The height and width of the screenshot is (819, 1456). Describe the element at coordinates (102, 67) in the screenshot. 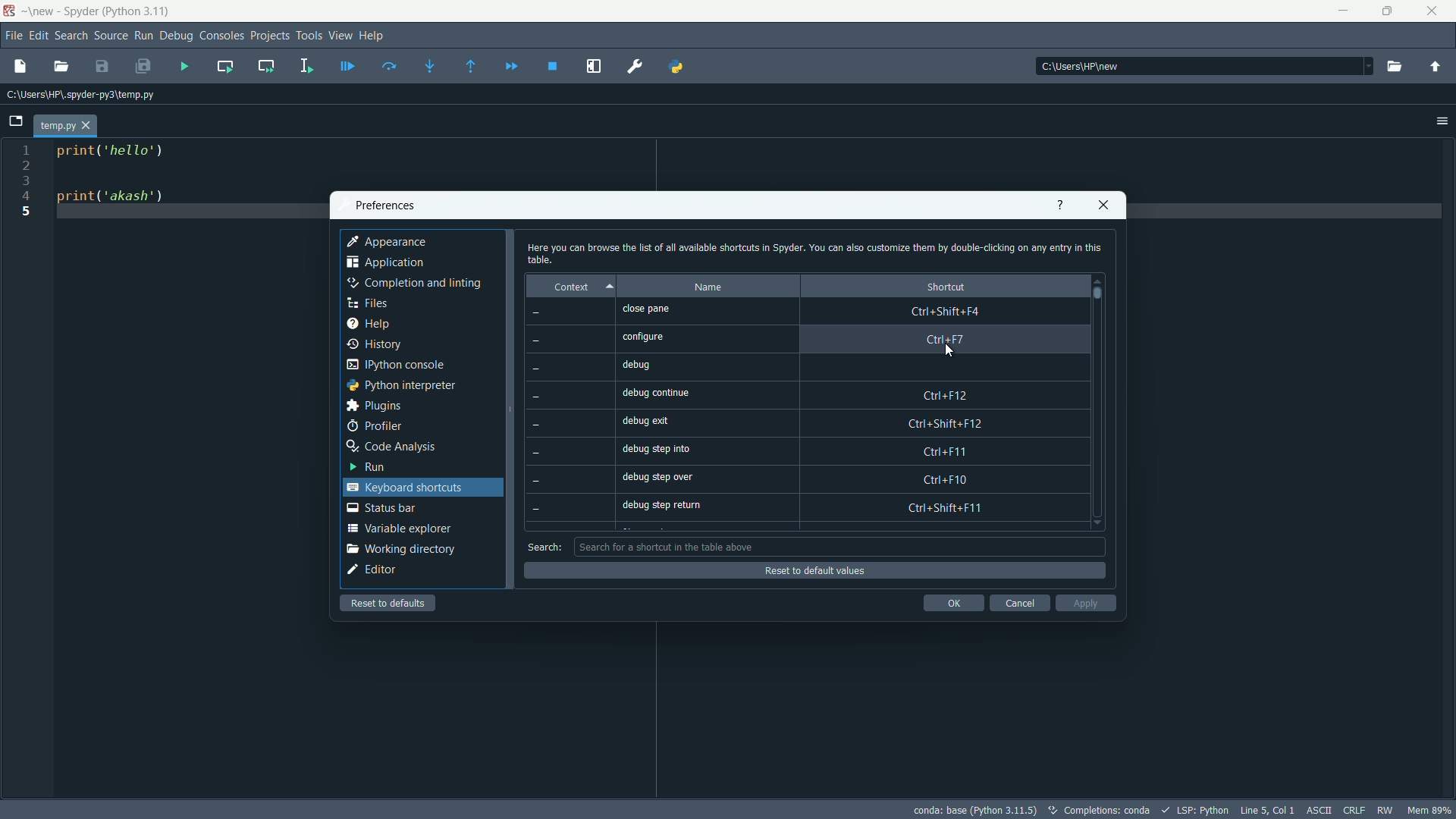

I see `save file` at that location.